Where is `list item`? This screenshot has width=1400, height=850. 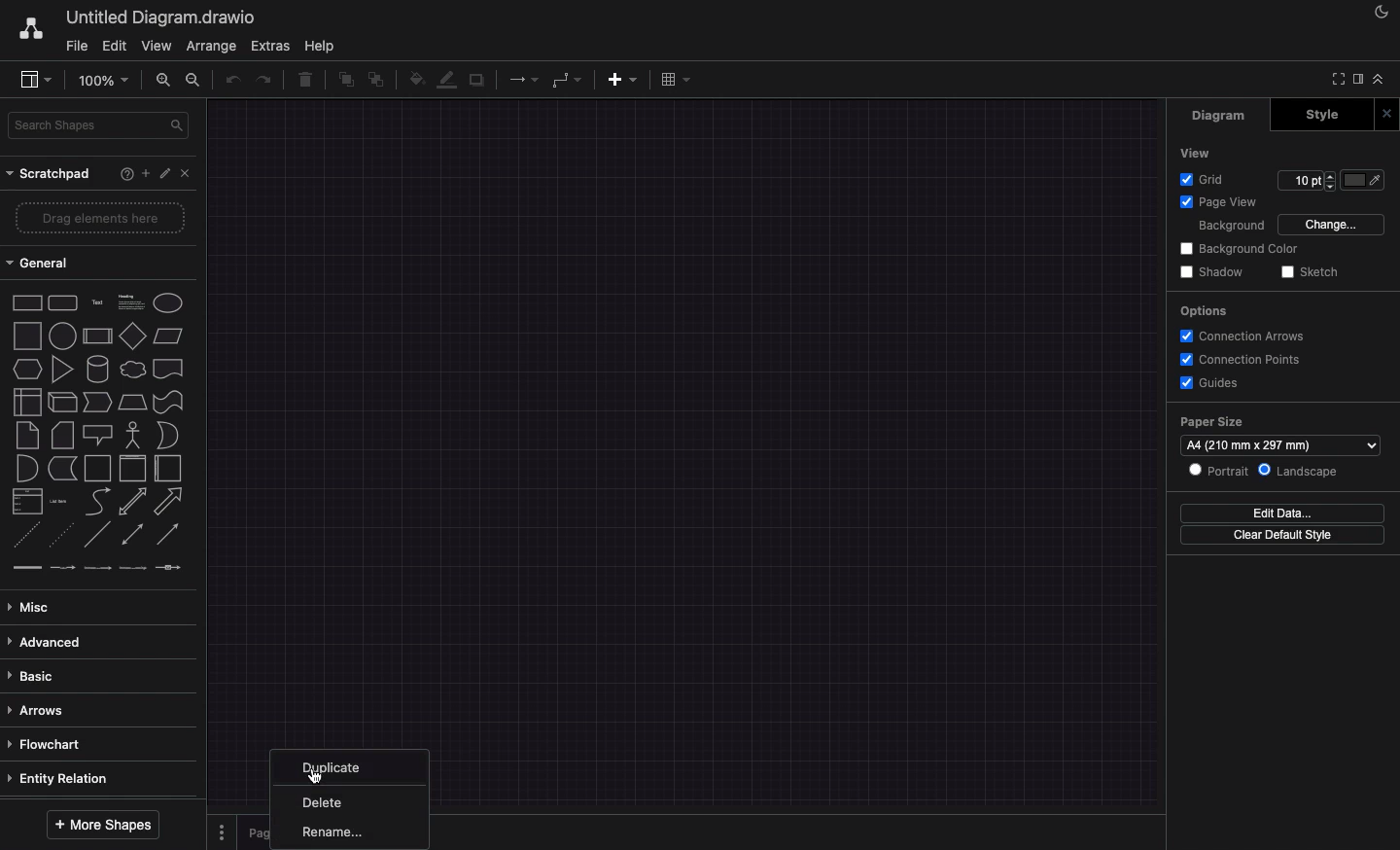
list item is located at coordinates (57, 501).